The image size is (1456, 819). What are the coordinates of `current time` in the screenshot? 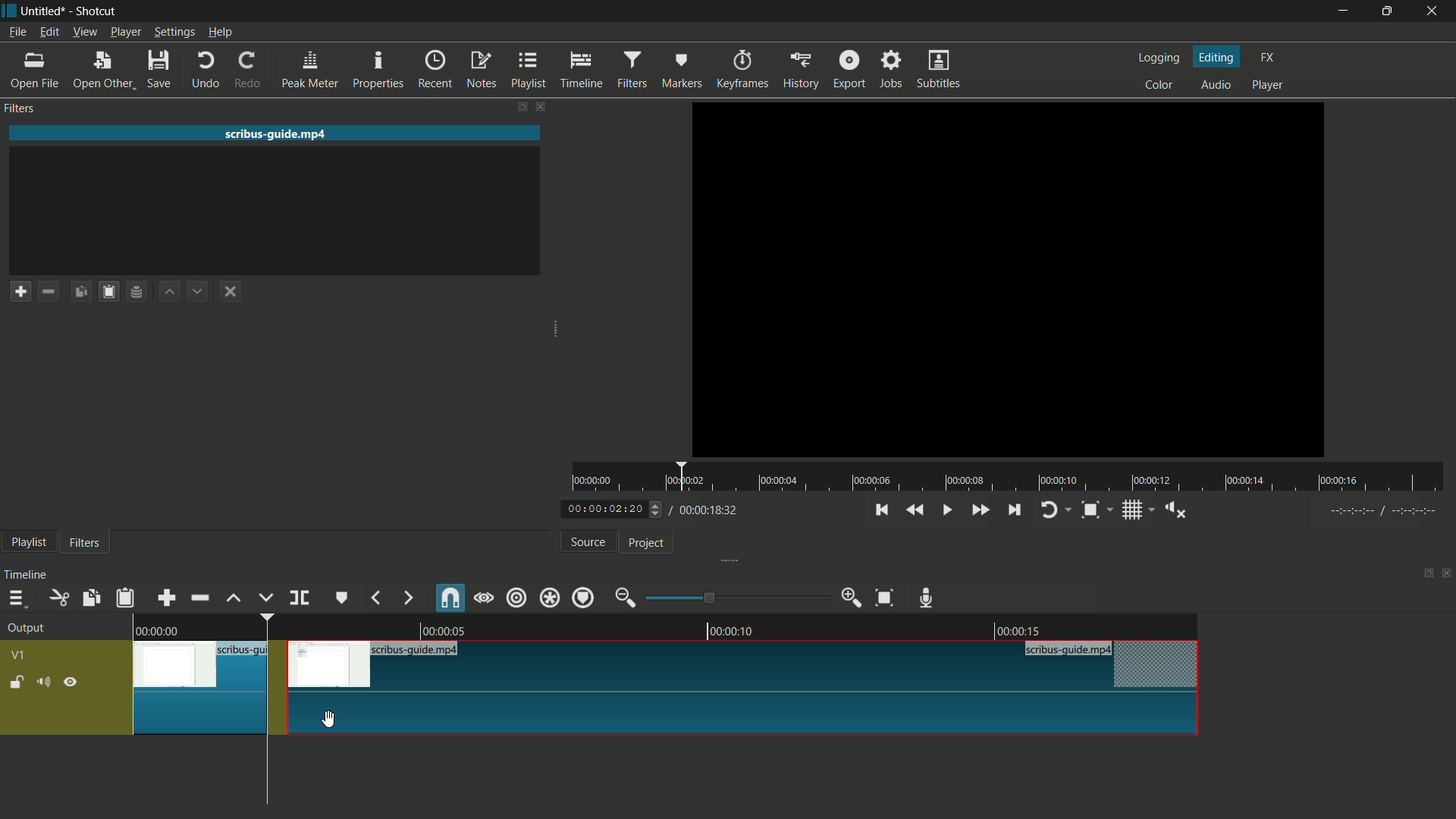 It's located at (603, 510).